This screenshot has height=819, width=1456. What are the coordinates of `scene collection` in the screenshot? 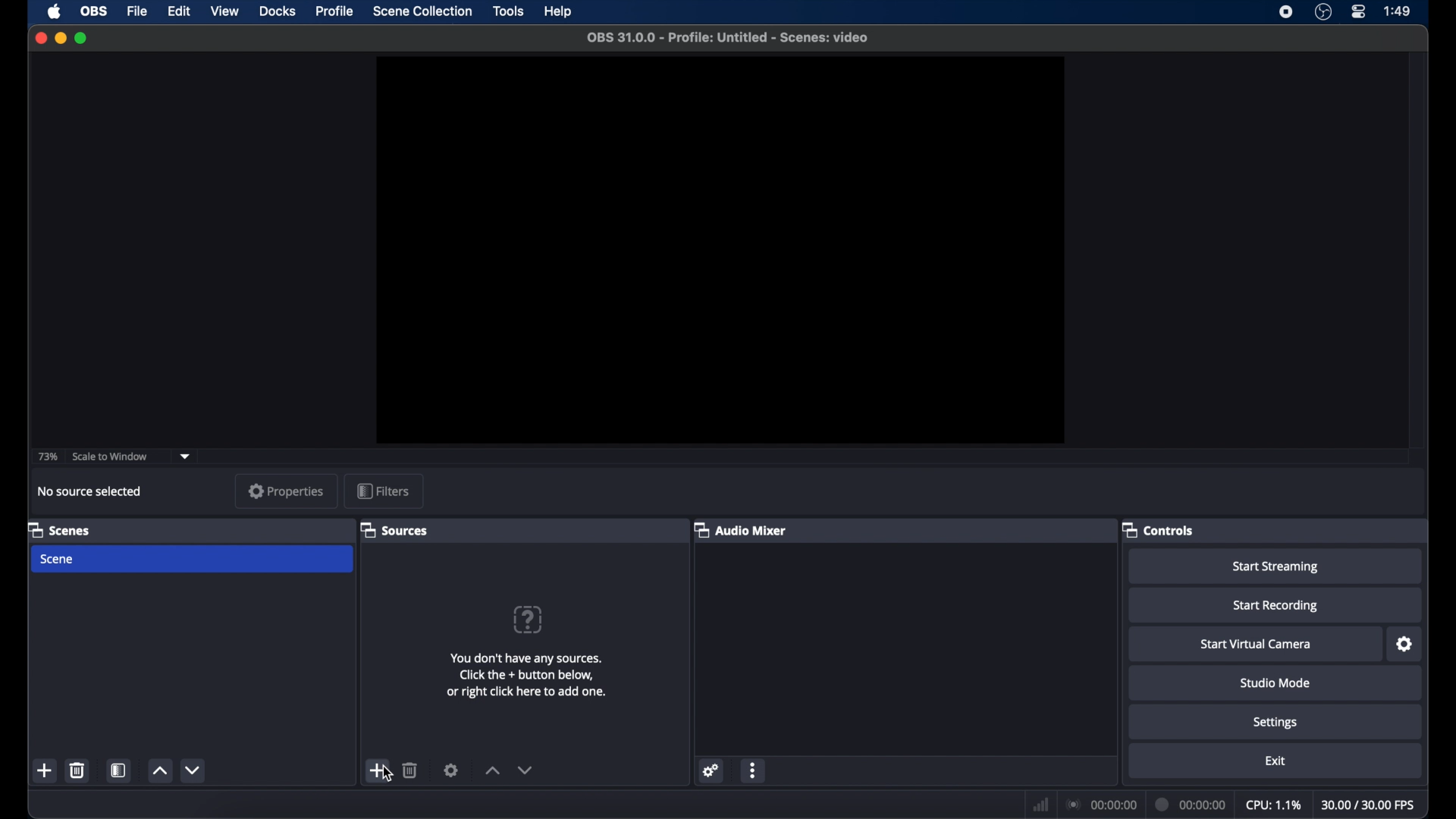 It's located at (422, 11).